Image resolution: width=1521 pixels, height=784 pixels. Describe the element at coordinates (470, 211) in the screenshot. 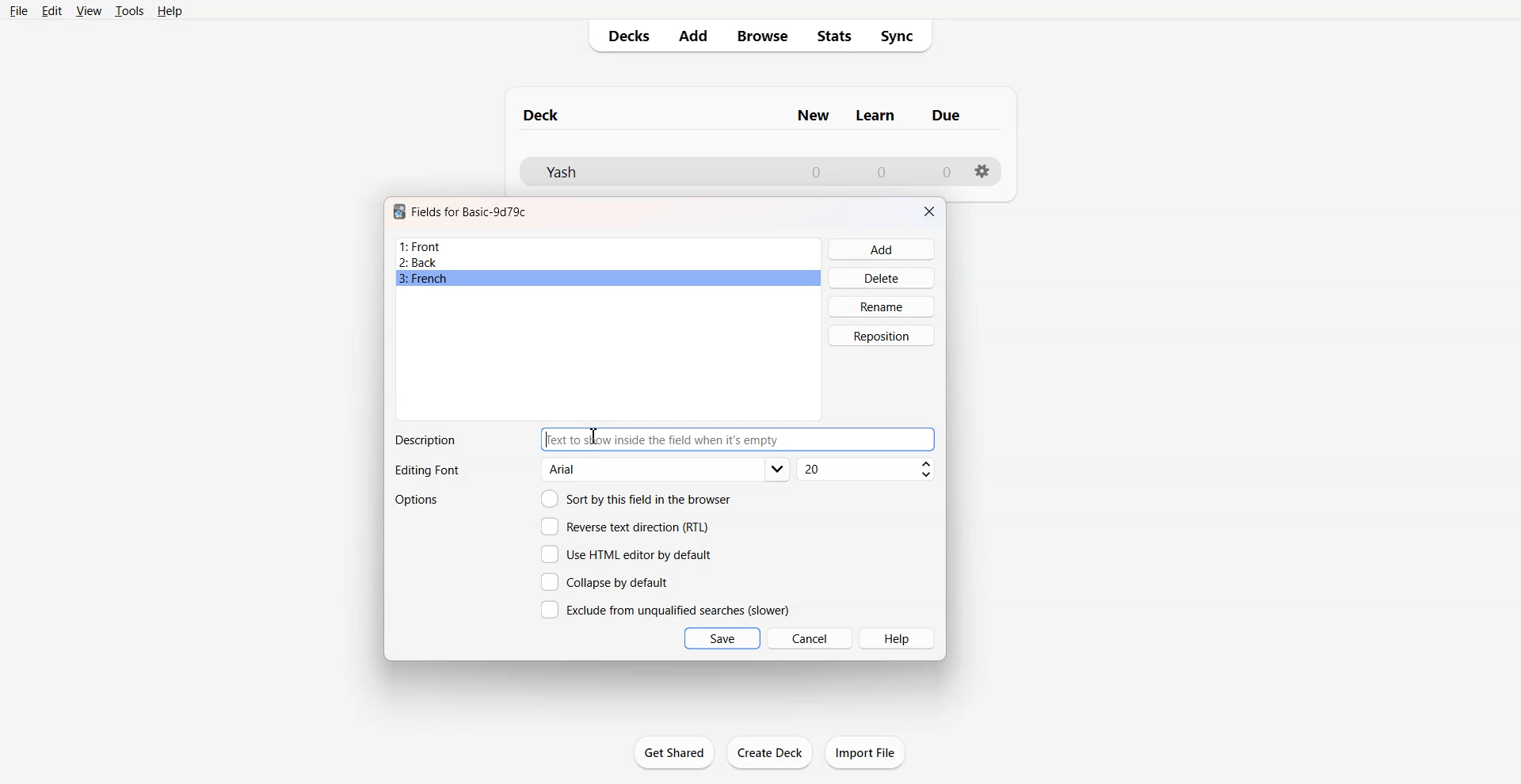

I see `Text 1` at that location.